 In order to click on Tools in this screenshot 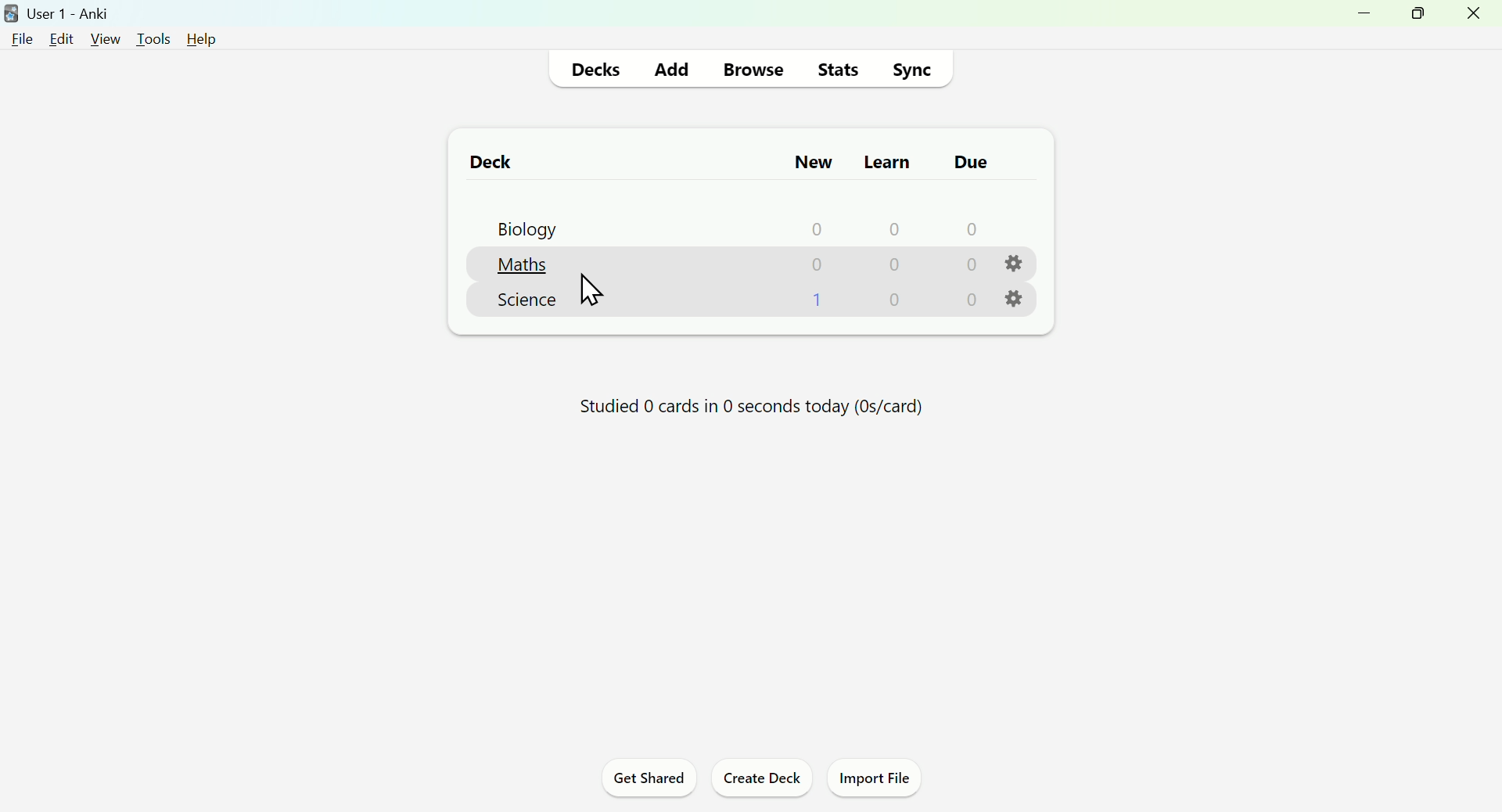, I will do `click(148, 35)`.